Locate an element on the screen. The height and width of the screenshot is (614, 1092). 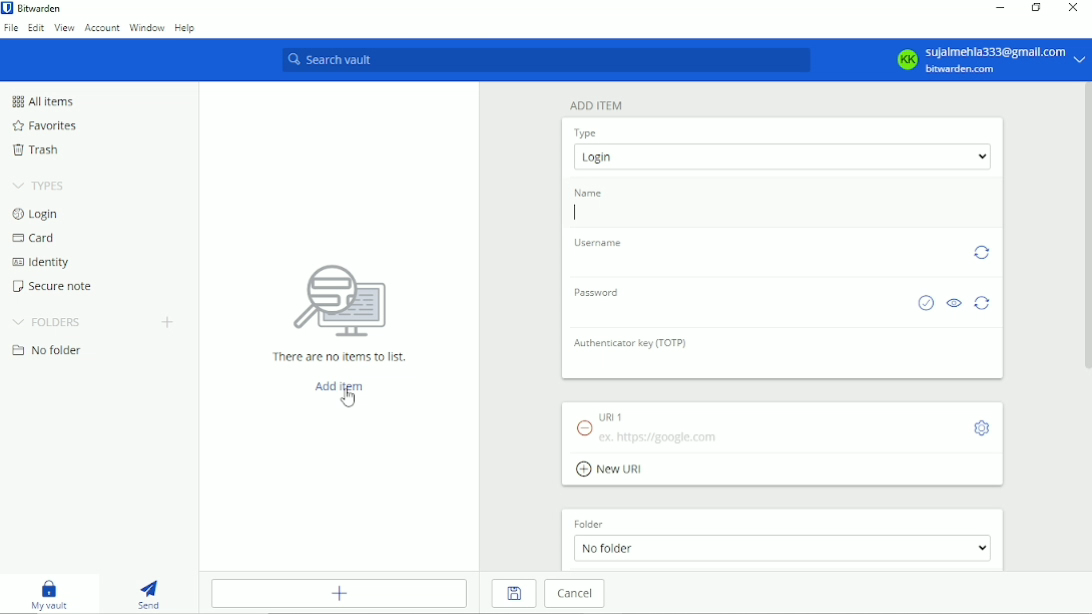
Bitwarden is located at coordinates (41, 8).